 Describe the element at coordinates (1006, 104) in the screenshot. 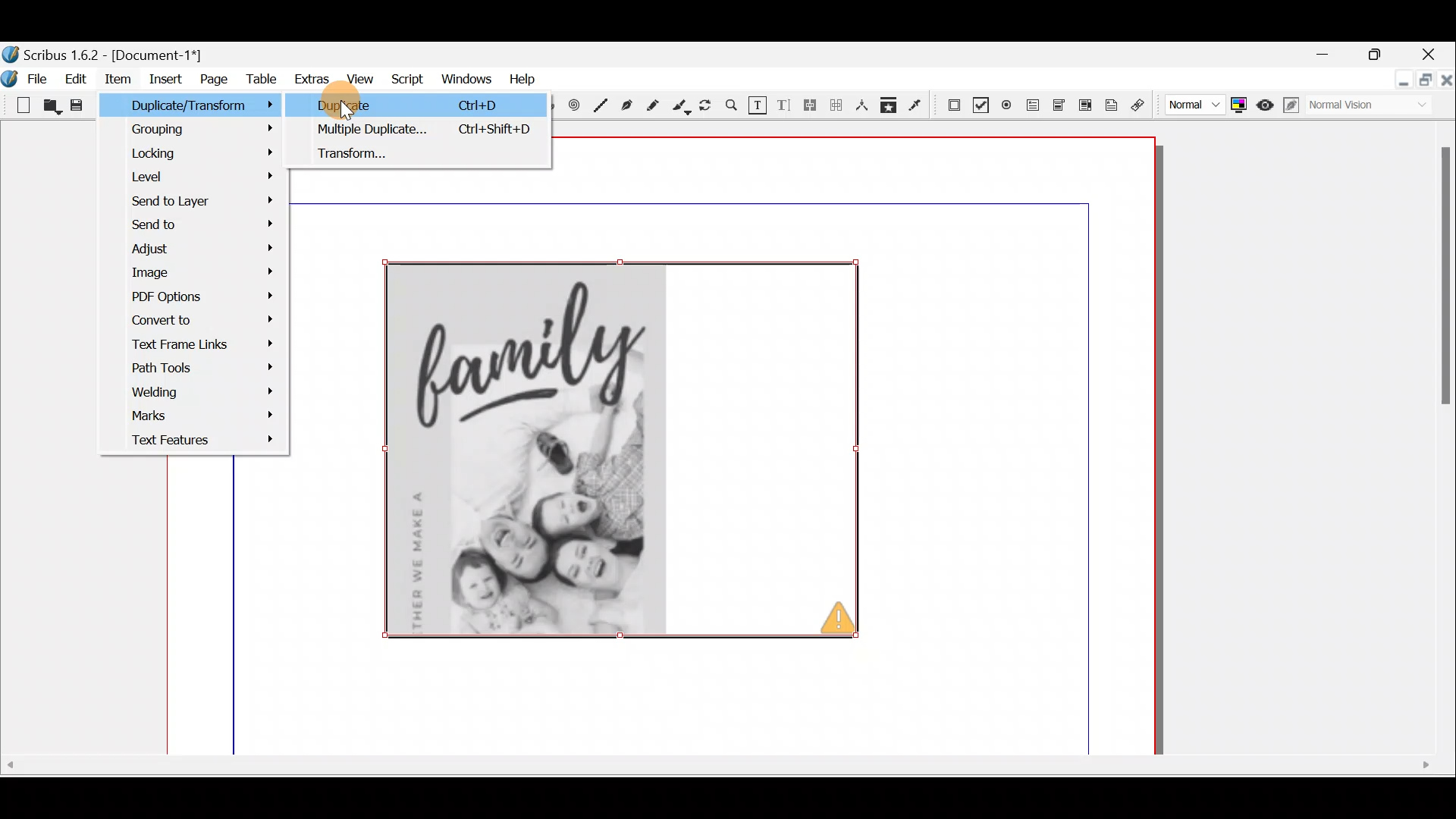

I see `PDF radio button` at that location.